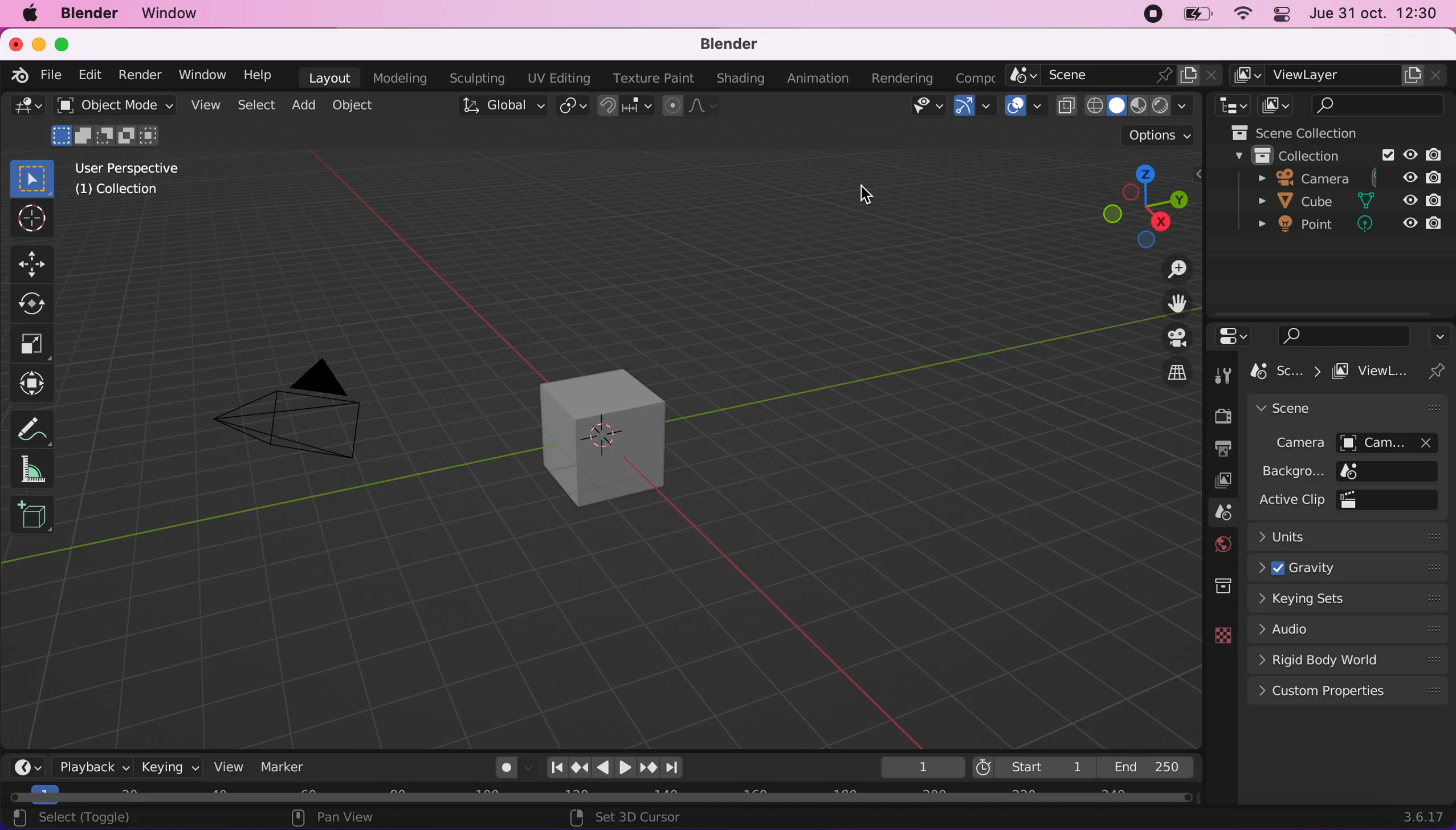  Describe the element at coordinates (695, 105) in the screenshot. I see `proportional editing objects` at that location.